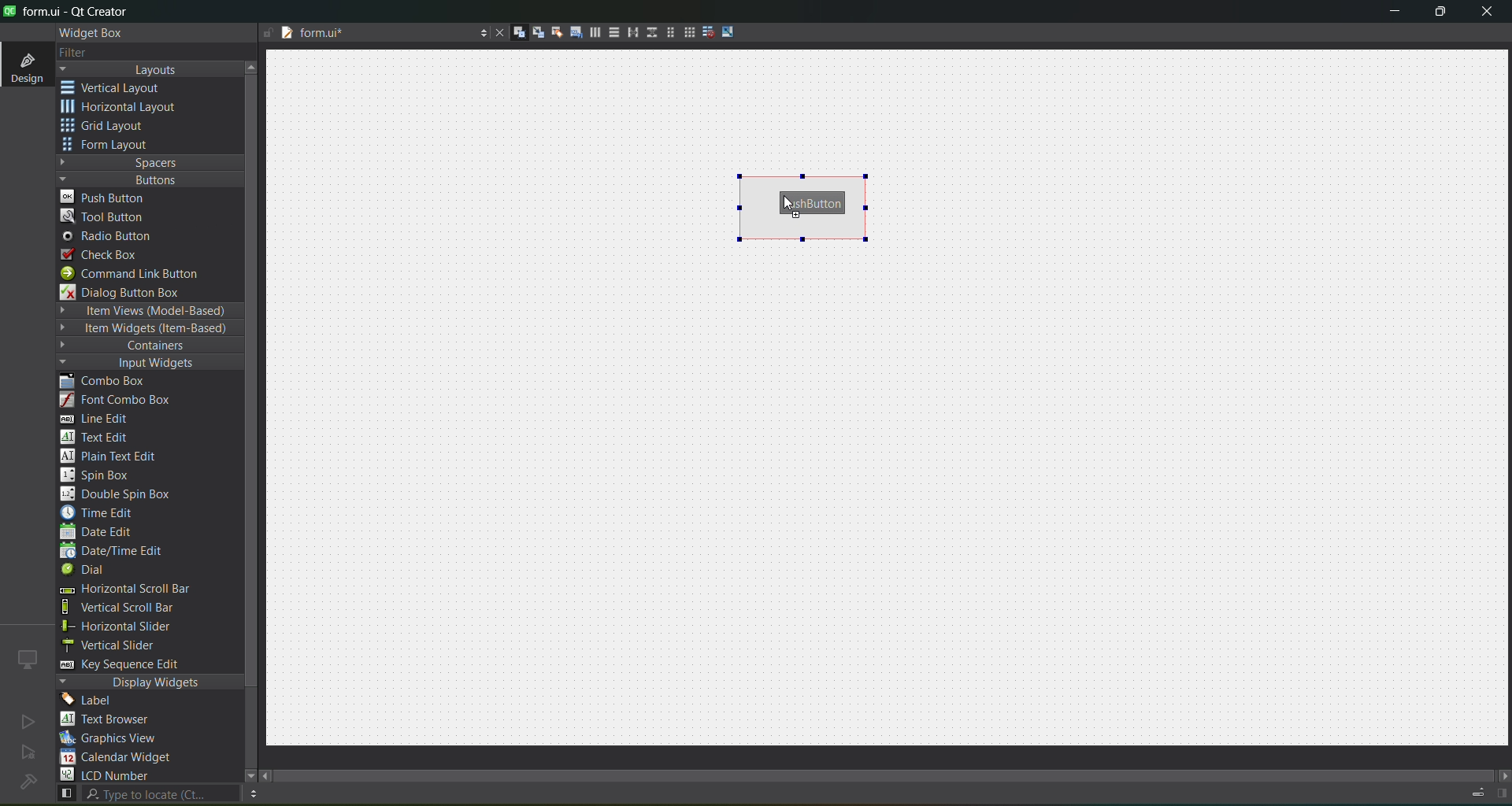 The width and height of the screenshot is (1512, 806). I want to click on layouts, so click(150, 69).